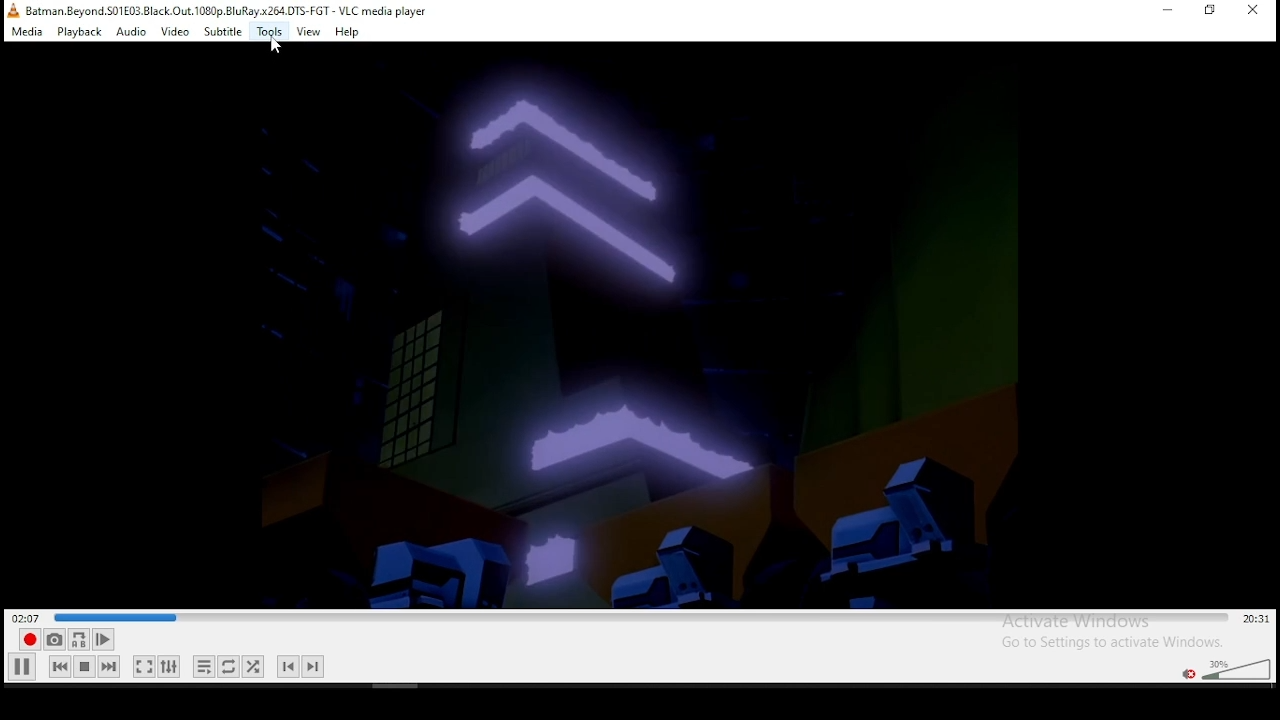  I want to click on playback, so click(81, 32).